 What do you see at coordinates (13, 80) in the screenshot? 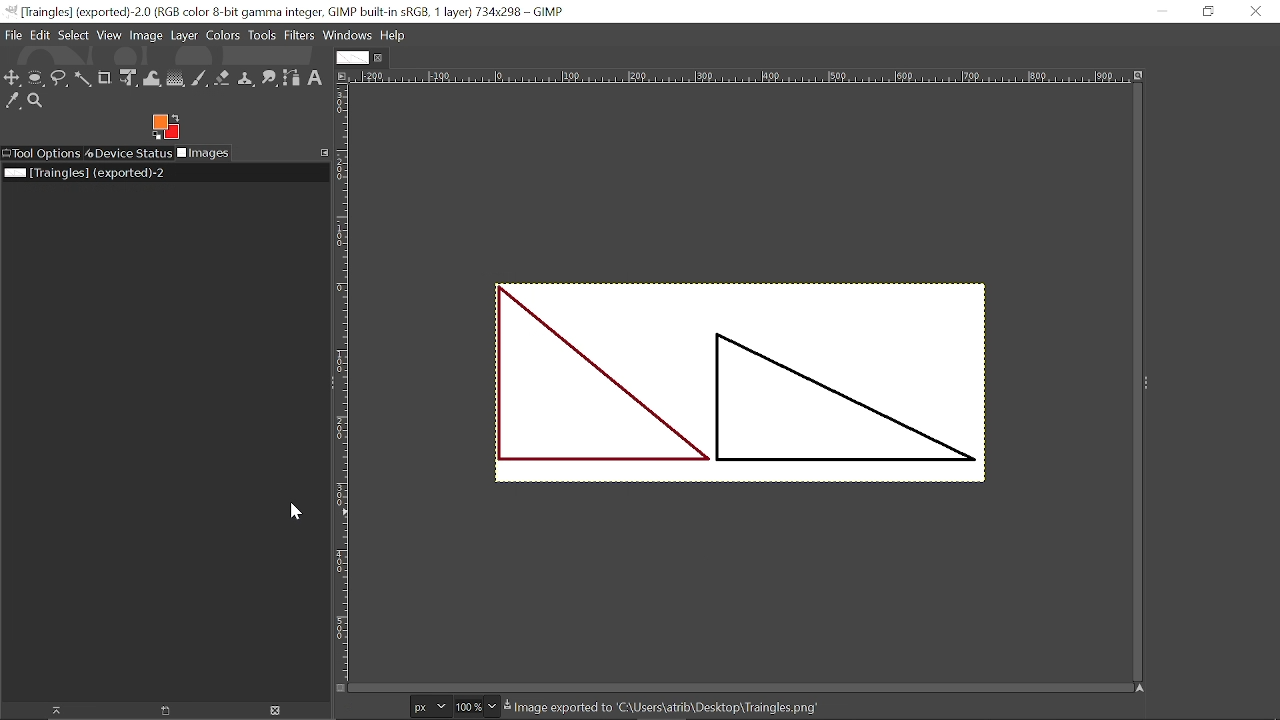
I see `Move tool` at bounding box center [13, 80].